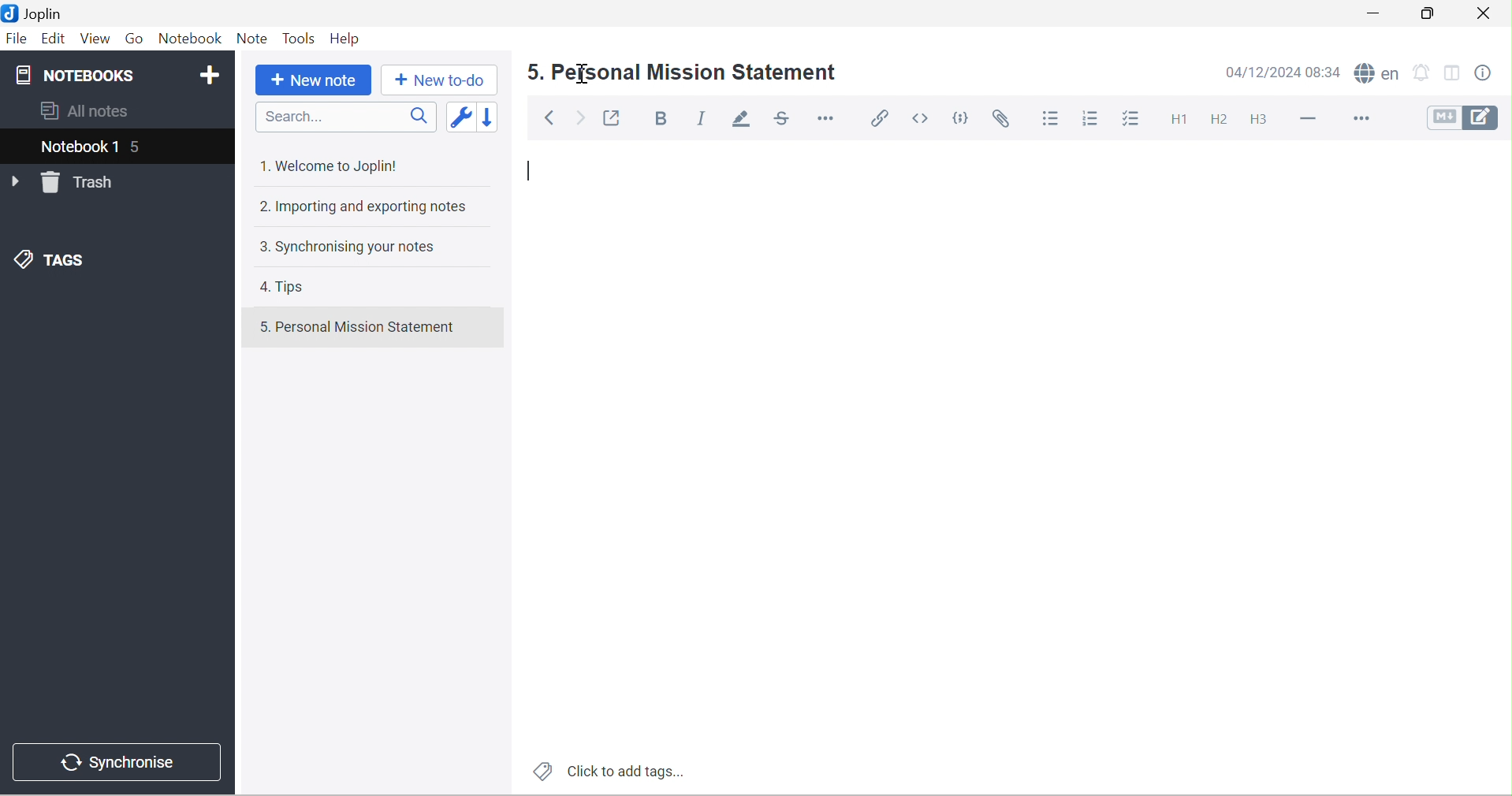 Image resolution: width=1512 pixels, height=796 pixels. What do you see at coordinates (1425, 13) in the screenshot?
I see `Restore Down` at bounding box center [1425, 13].